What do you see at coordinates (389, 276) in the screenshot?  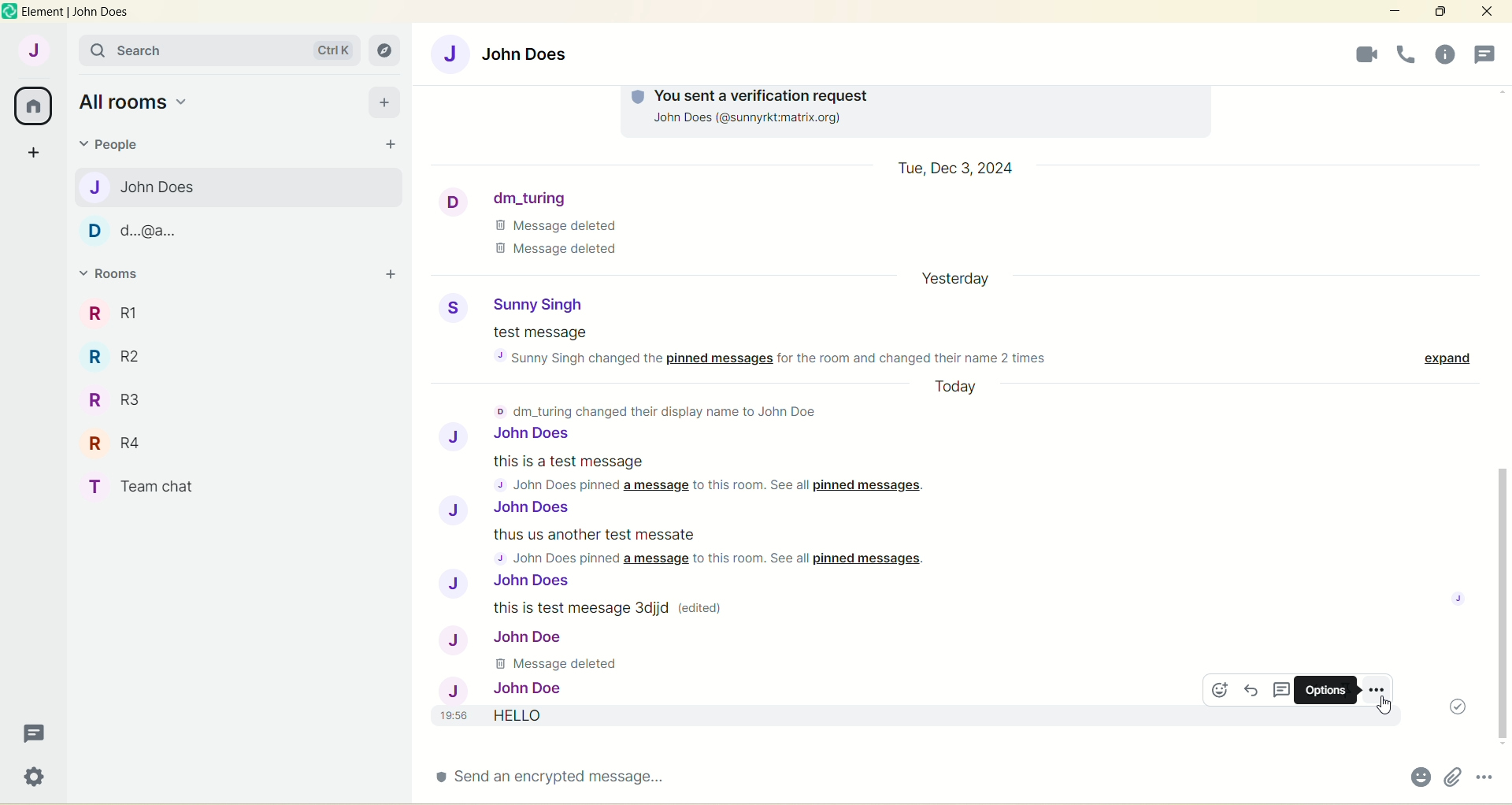 I see `add` at bounding box center [389, 276].